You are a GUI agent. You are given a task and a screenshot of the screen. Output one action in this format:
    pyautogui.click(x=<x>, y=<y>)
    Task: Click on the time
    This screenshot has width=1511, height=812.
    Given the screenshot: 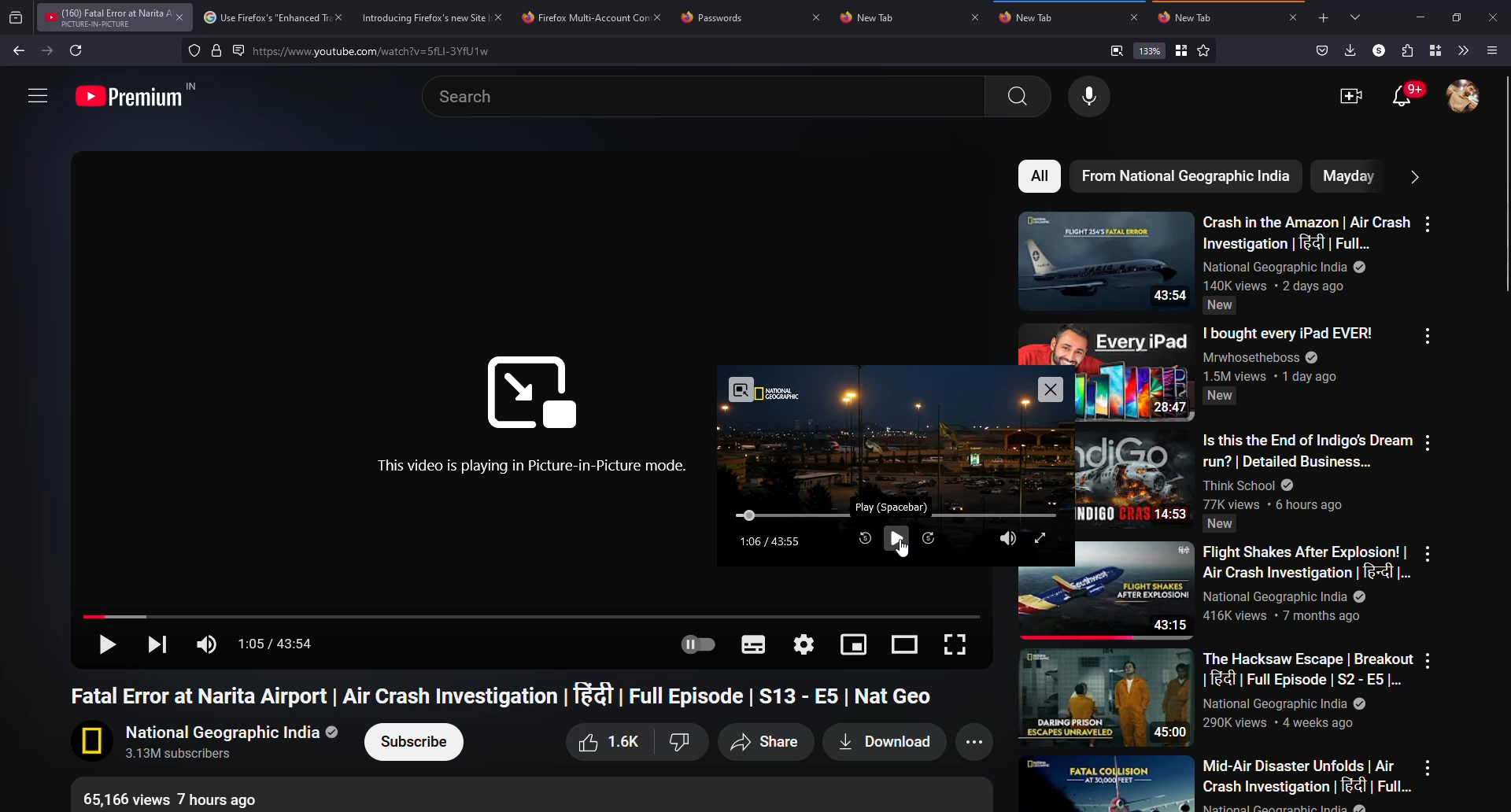 What is the action you would take?
    pyautogui.click(x=772, y=542)
    